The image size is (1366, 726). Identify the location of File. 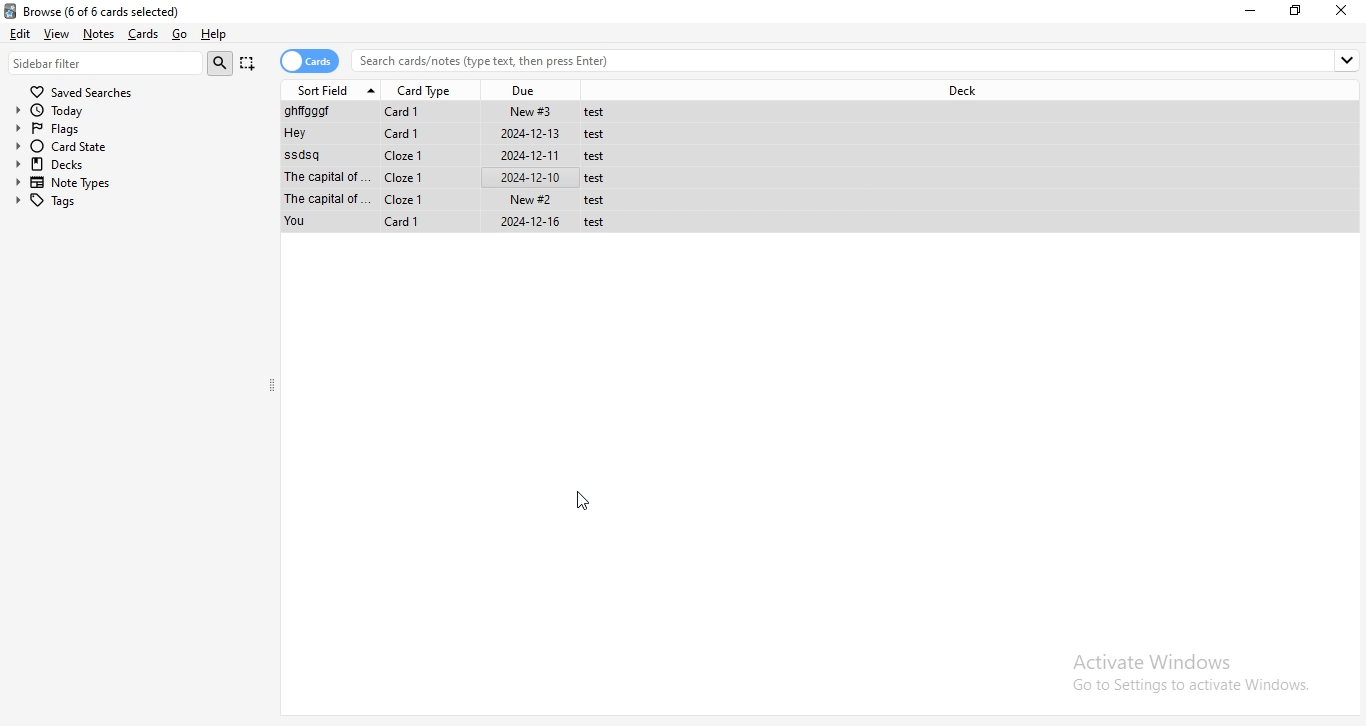
(456, 176).